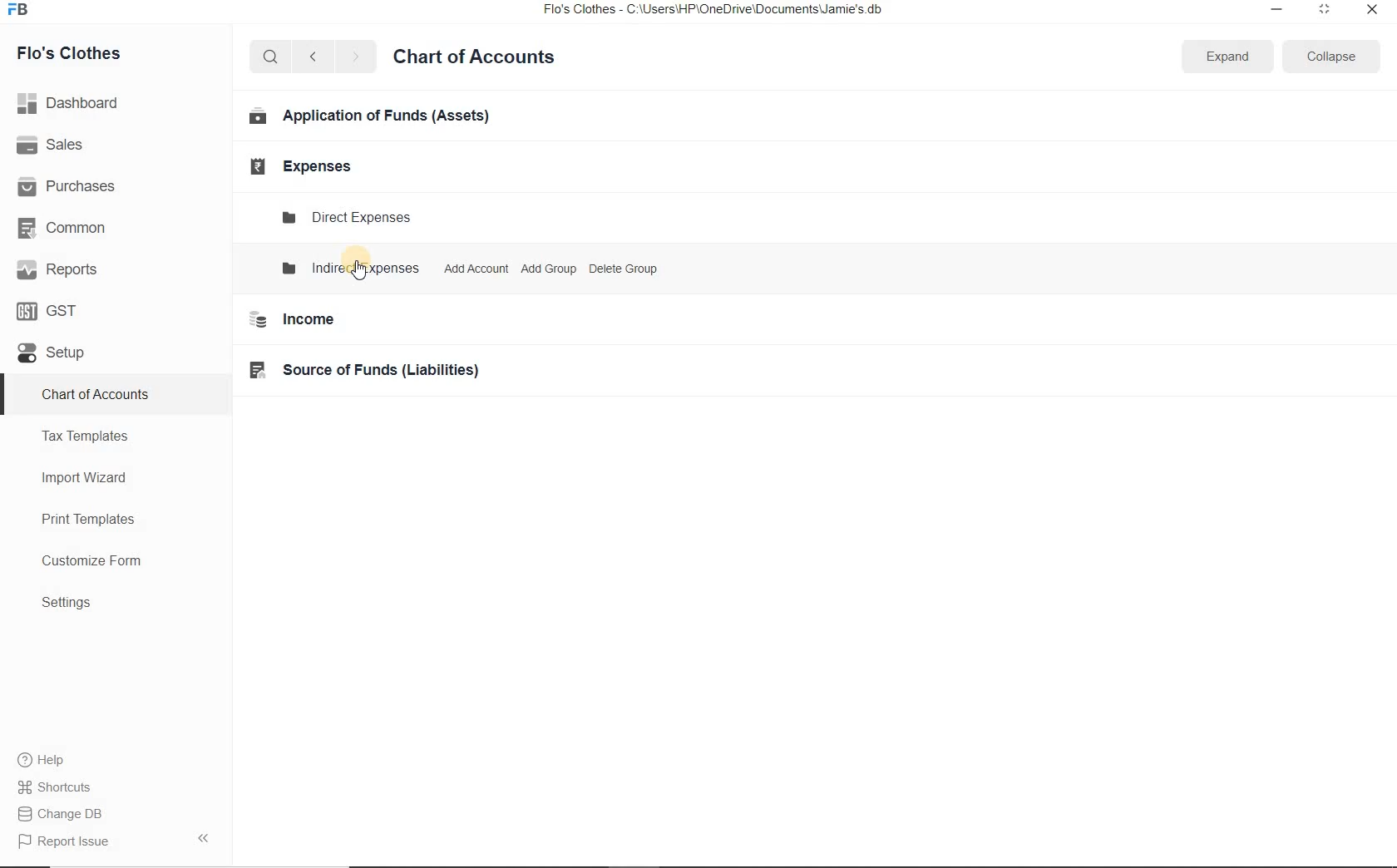  I want to click on Flo's Clothes - C:\Users\HP\OneDrive\Documents\Jamie's db, so click(723, 11).